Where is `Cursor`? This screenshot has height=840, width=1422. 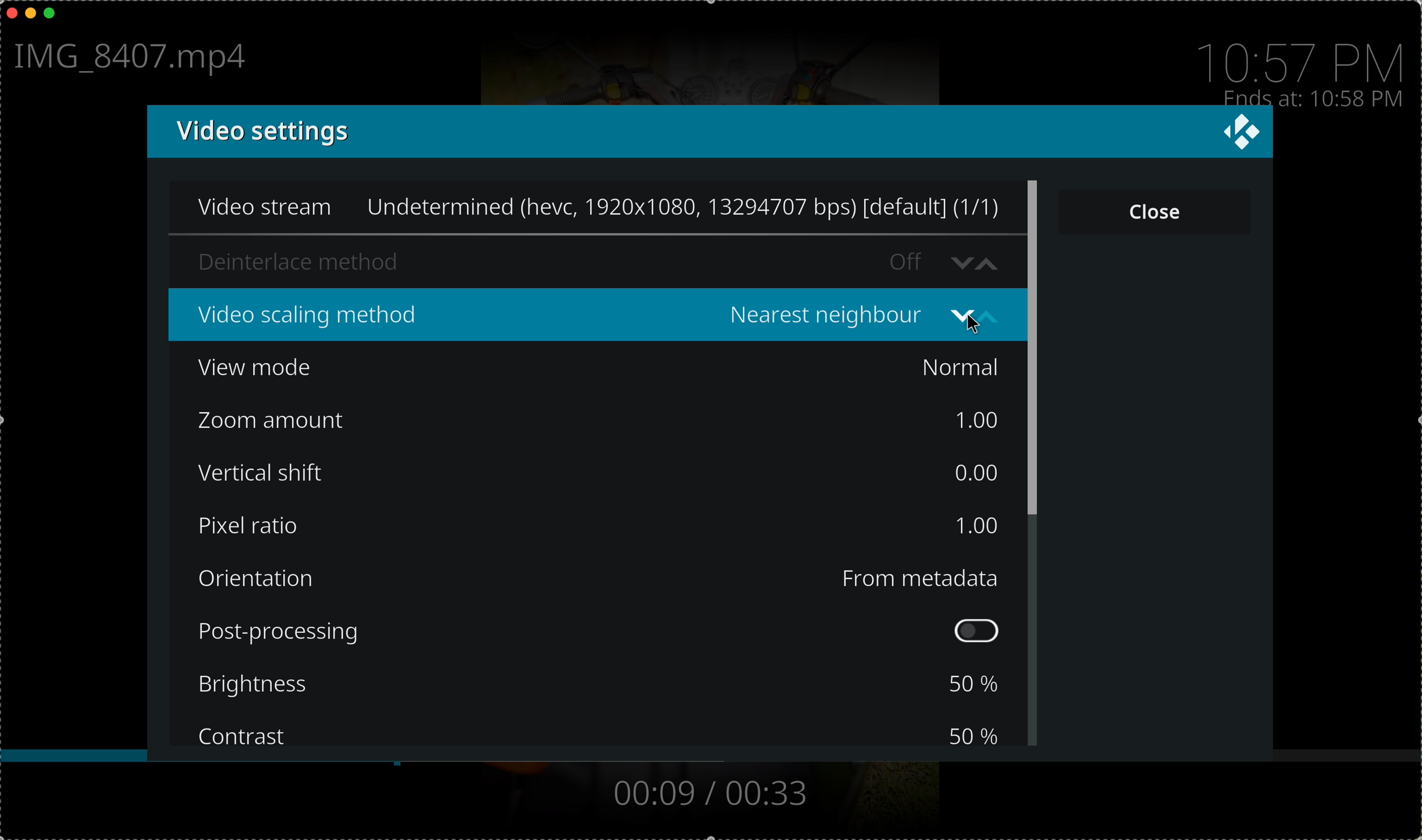 Cursor is located at coordinates (976, 325).